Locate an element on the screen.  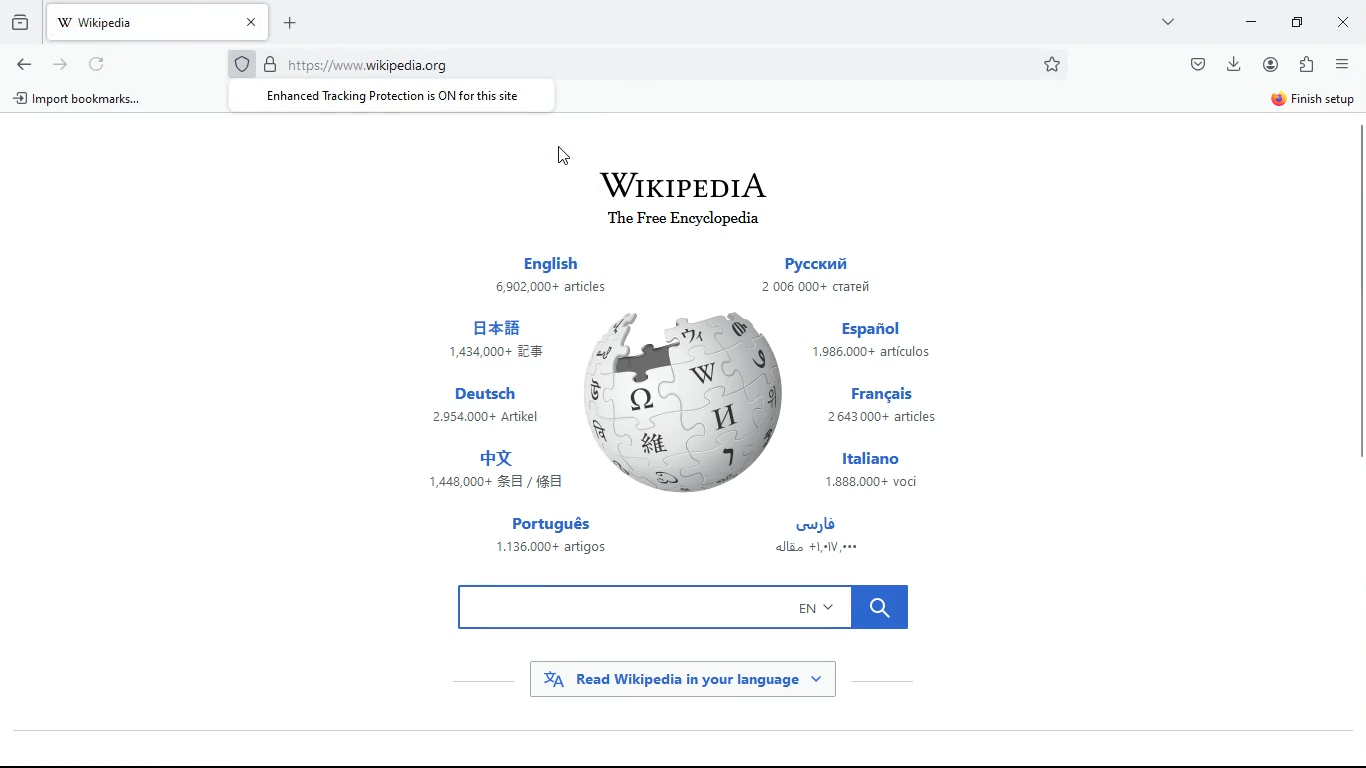
arabic is located at coordinates (828, 541).